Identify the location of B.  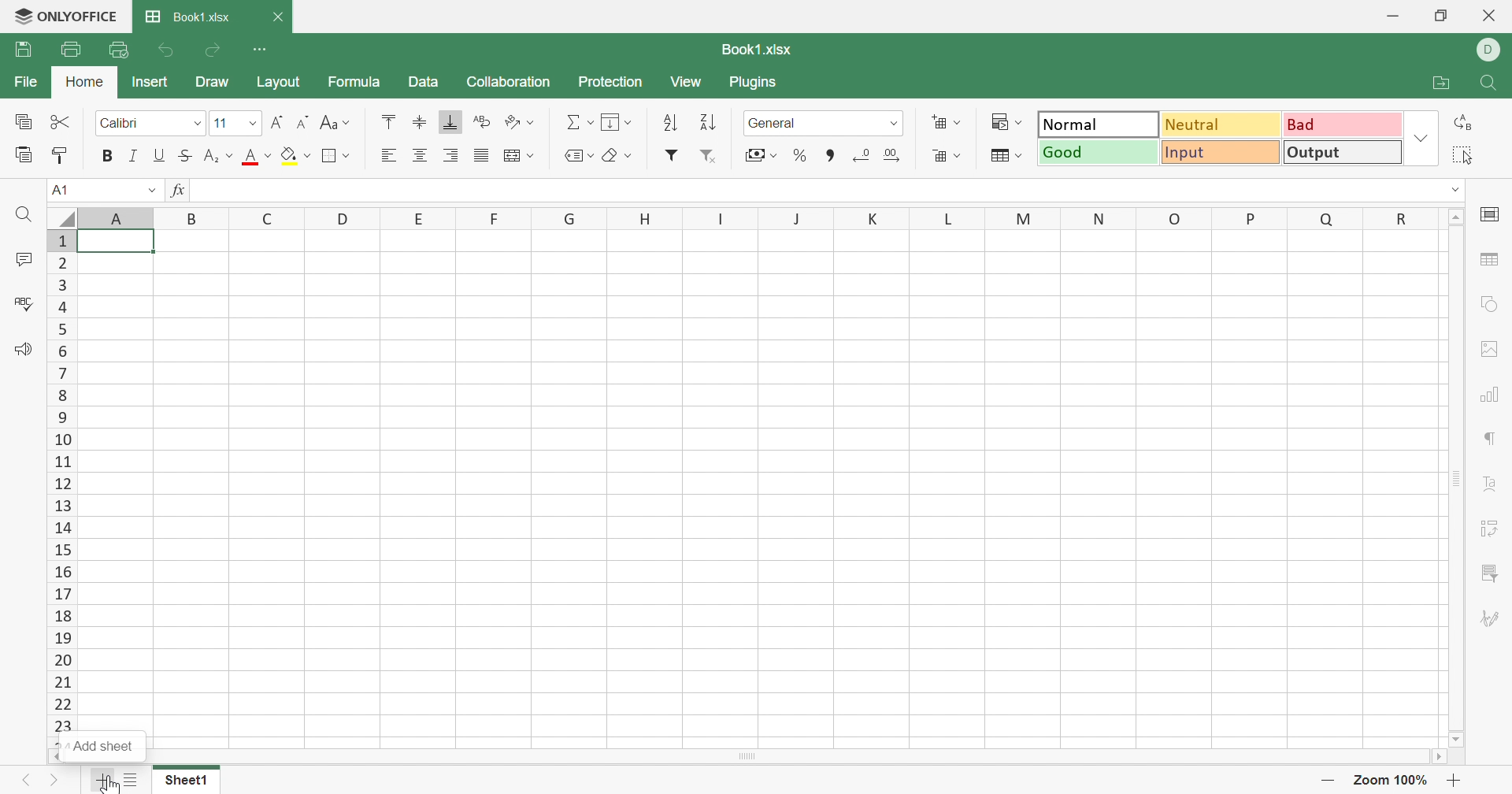
(189, 217).